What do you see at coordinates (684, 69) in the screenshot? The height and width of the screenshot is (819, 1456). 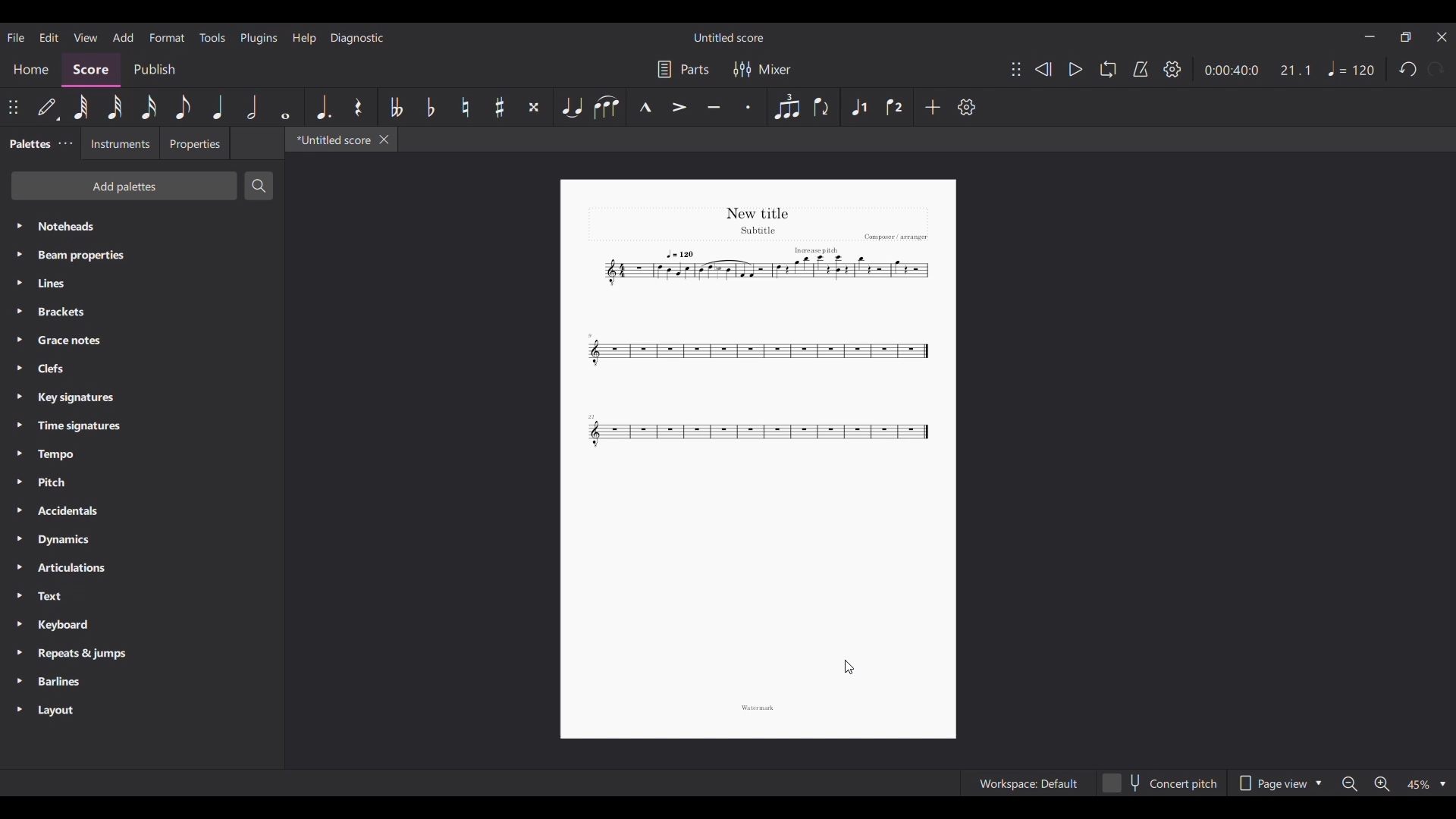 I see `Parts settings` at bounding box center [684, 69].